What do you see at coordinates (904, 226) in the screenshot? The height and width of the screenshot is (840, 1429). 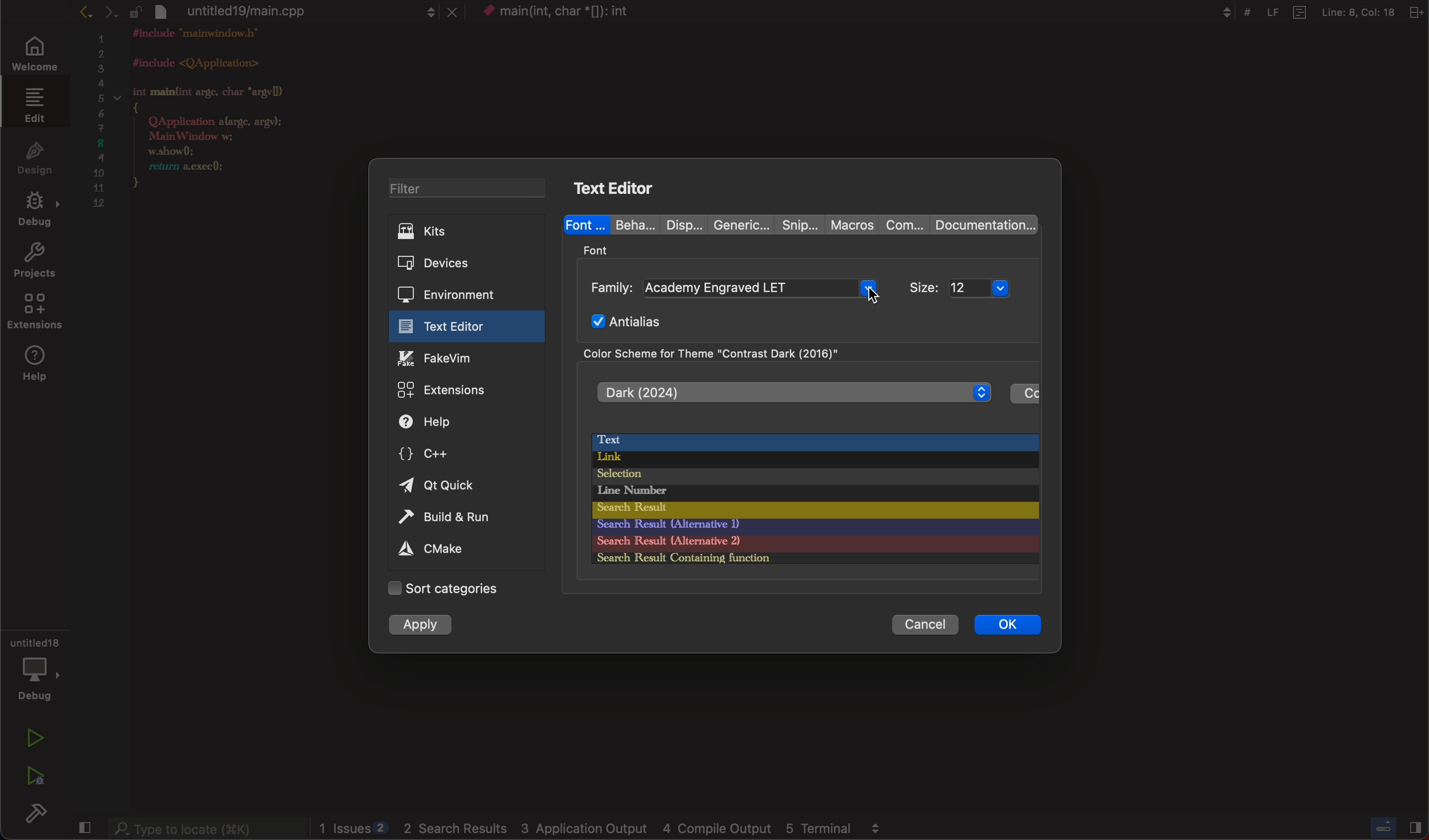 I see `com` at bounding box center [904, 226].